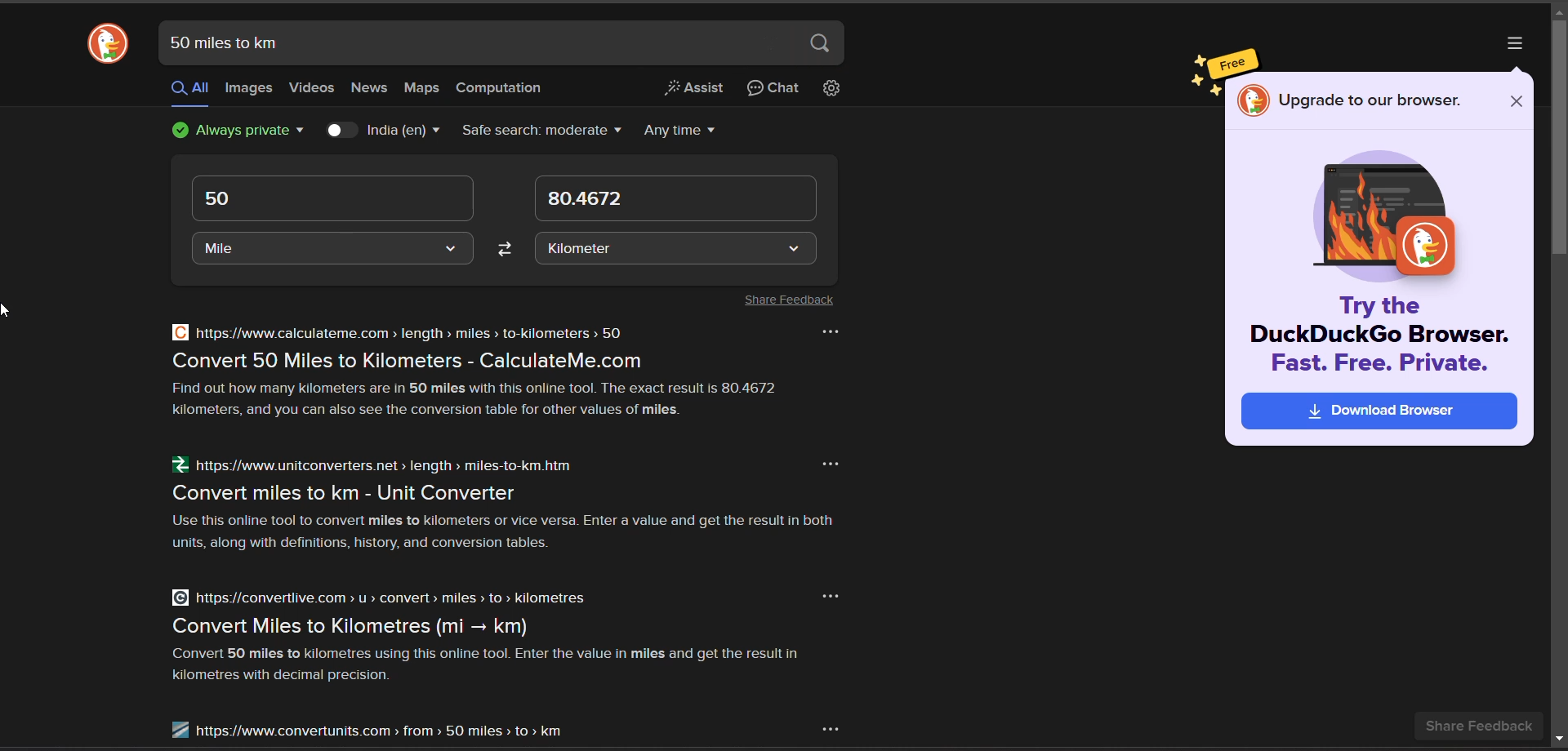 The height and width of the screenshot is (751, 1568). I want to click on 80.4672, so click(586, 201).